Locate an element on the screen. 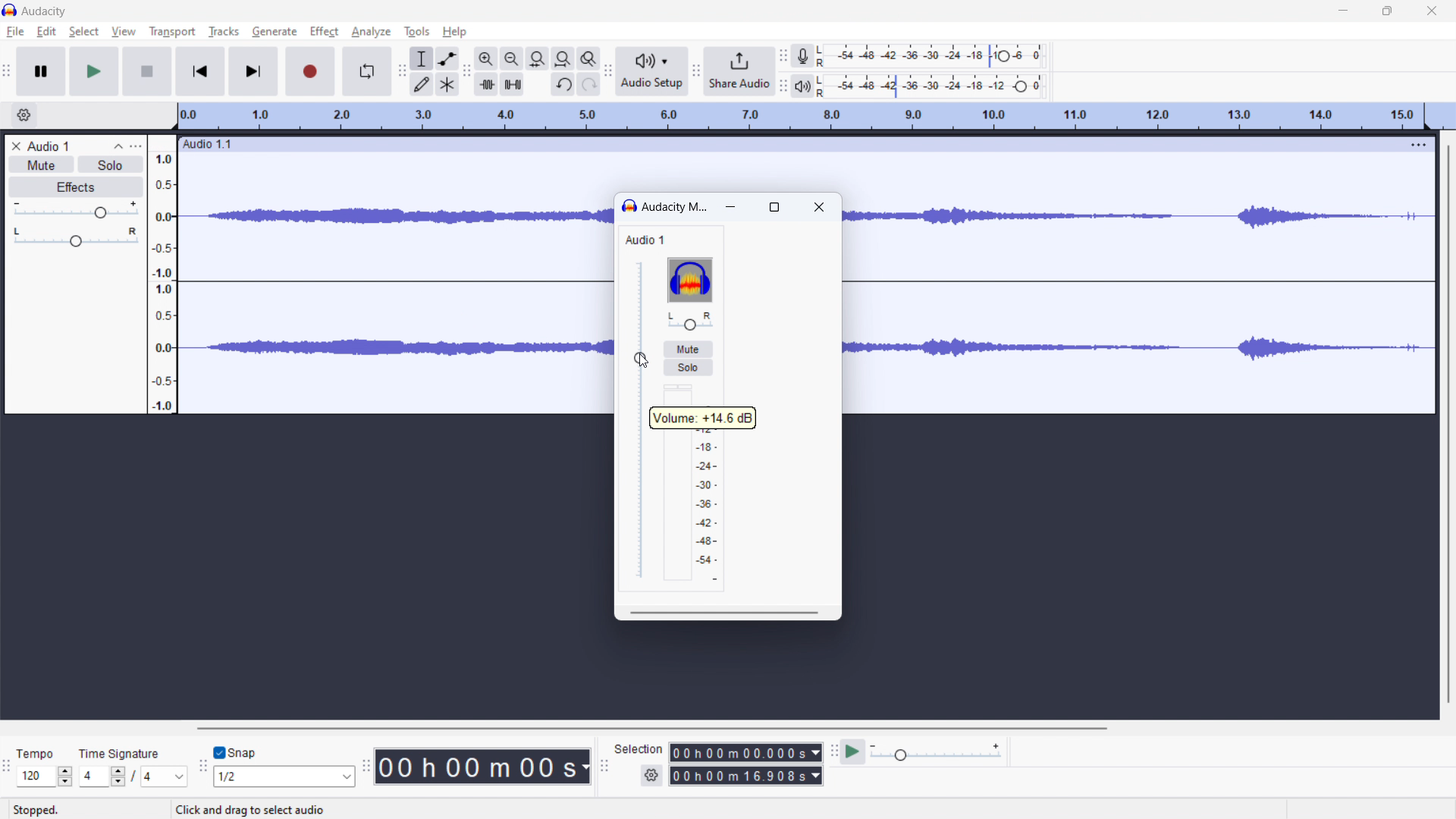  effect is located at coordinates (324, 31).